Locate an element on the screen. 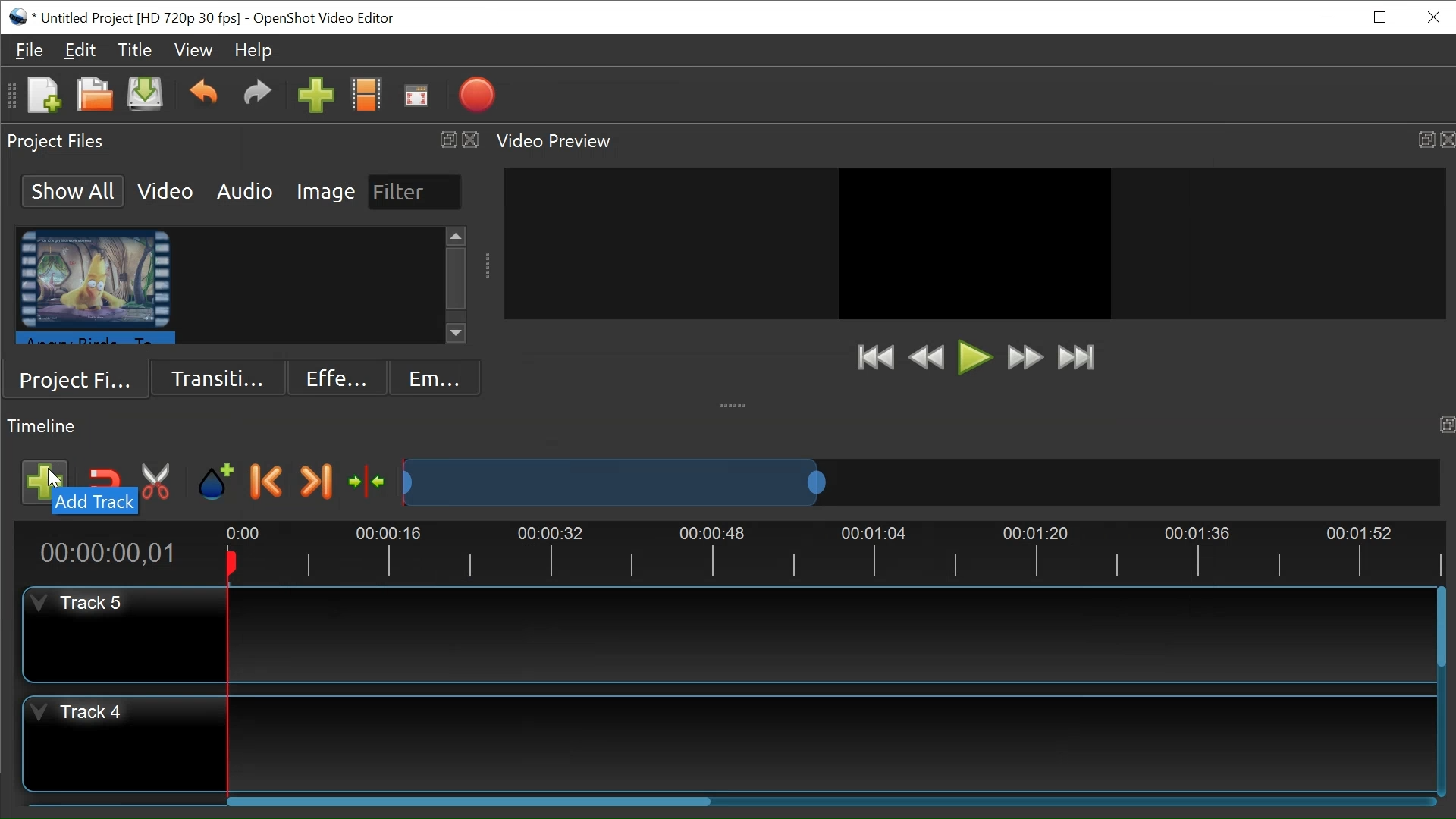 The image size is (1456, 819). Open File is located at coordinates (93, 96).